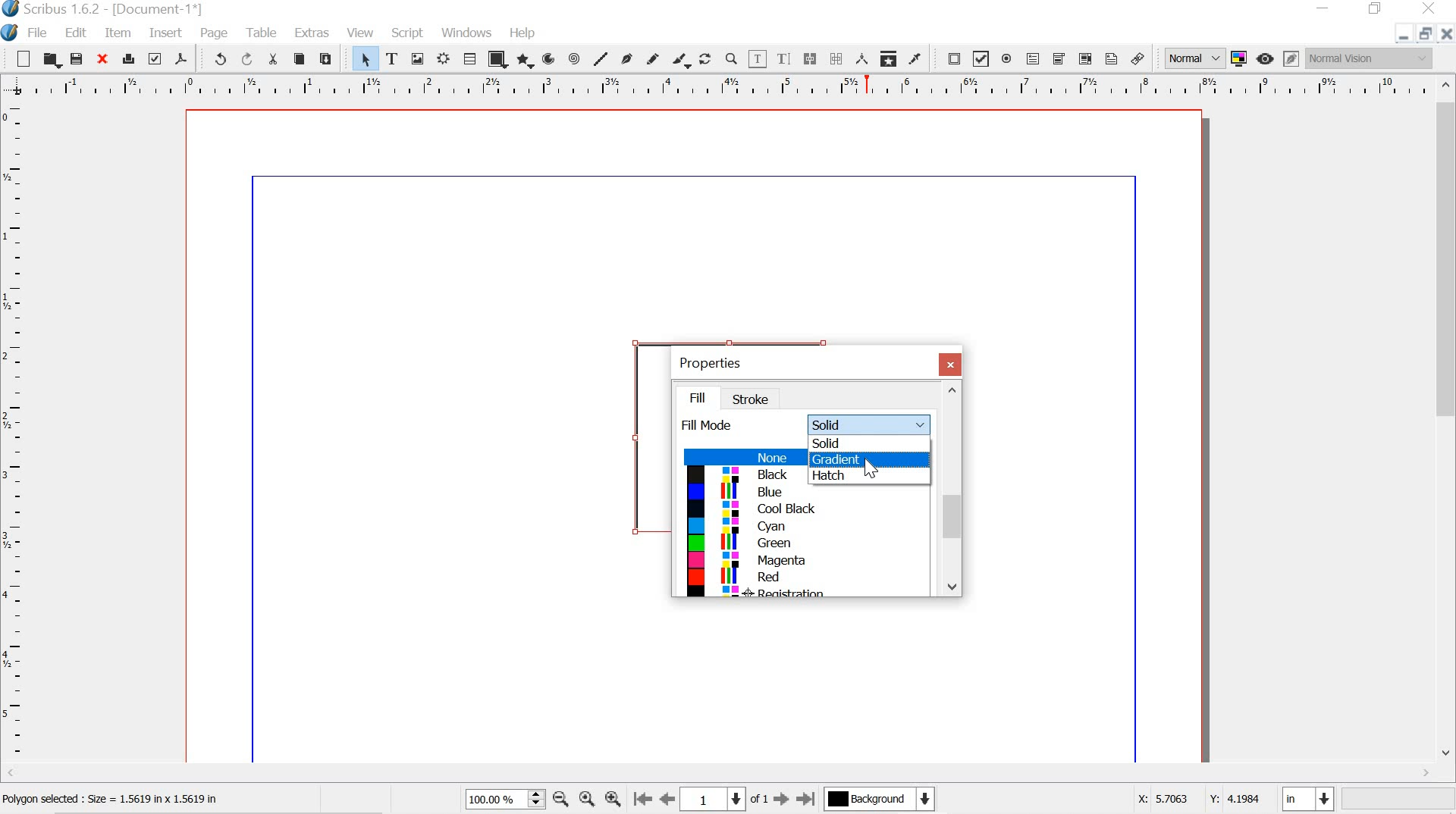 This screenshot has width=1456, height=814. What do you see at coordinates (534, 799) in the screenshot?
I see `zoom in and out` at bounding box center [534, 799].